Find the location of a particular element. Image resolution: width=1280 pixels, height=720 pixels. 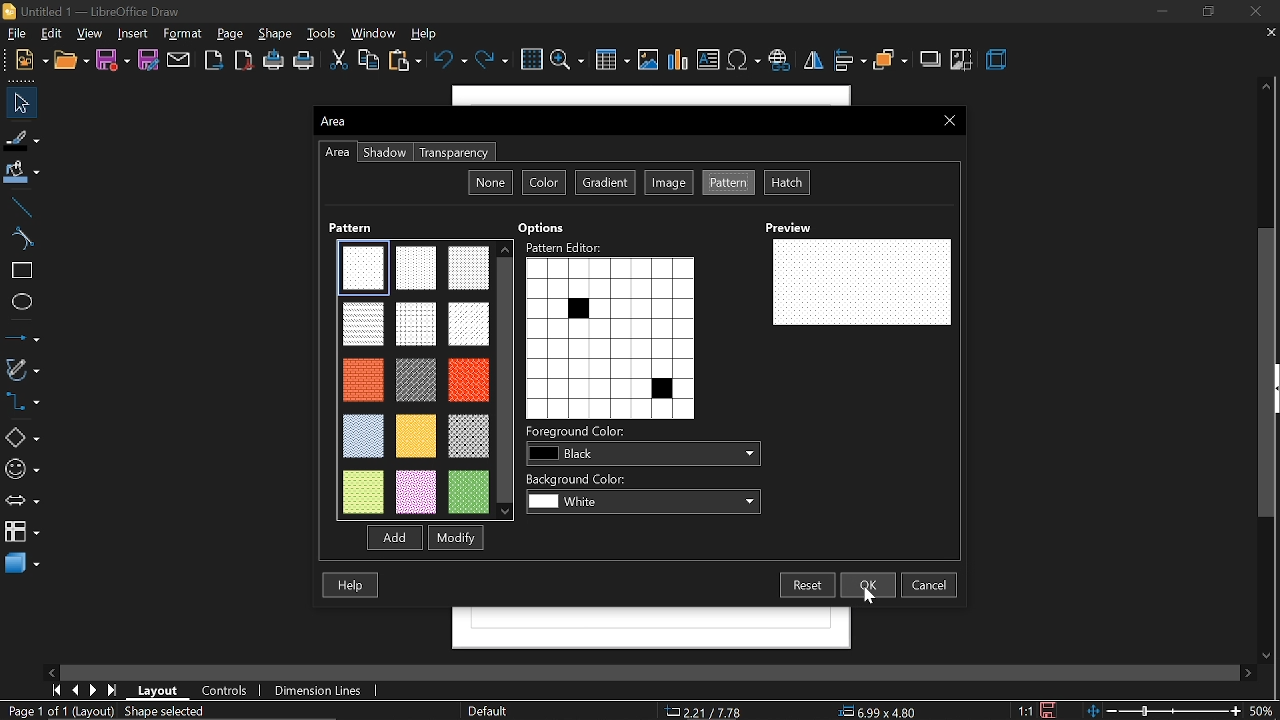

connector is located at coordinates (20, 401).